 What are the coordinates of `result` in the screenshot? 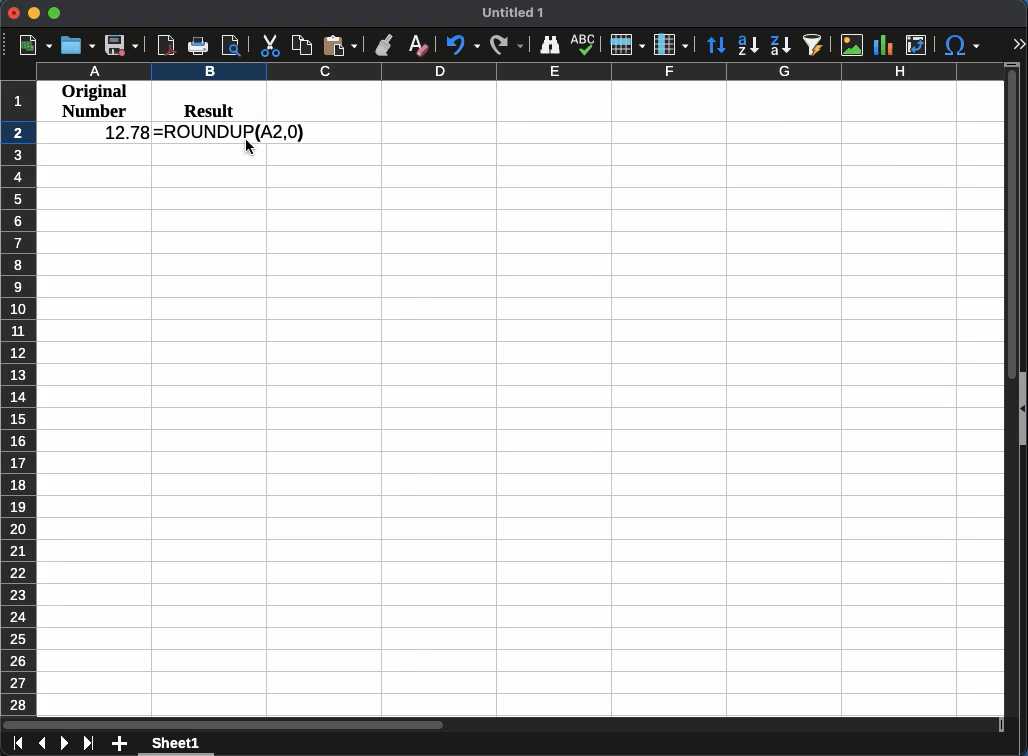 It's located at (209, 107).